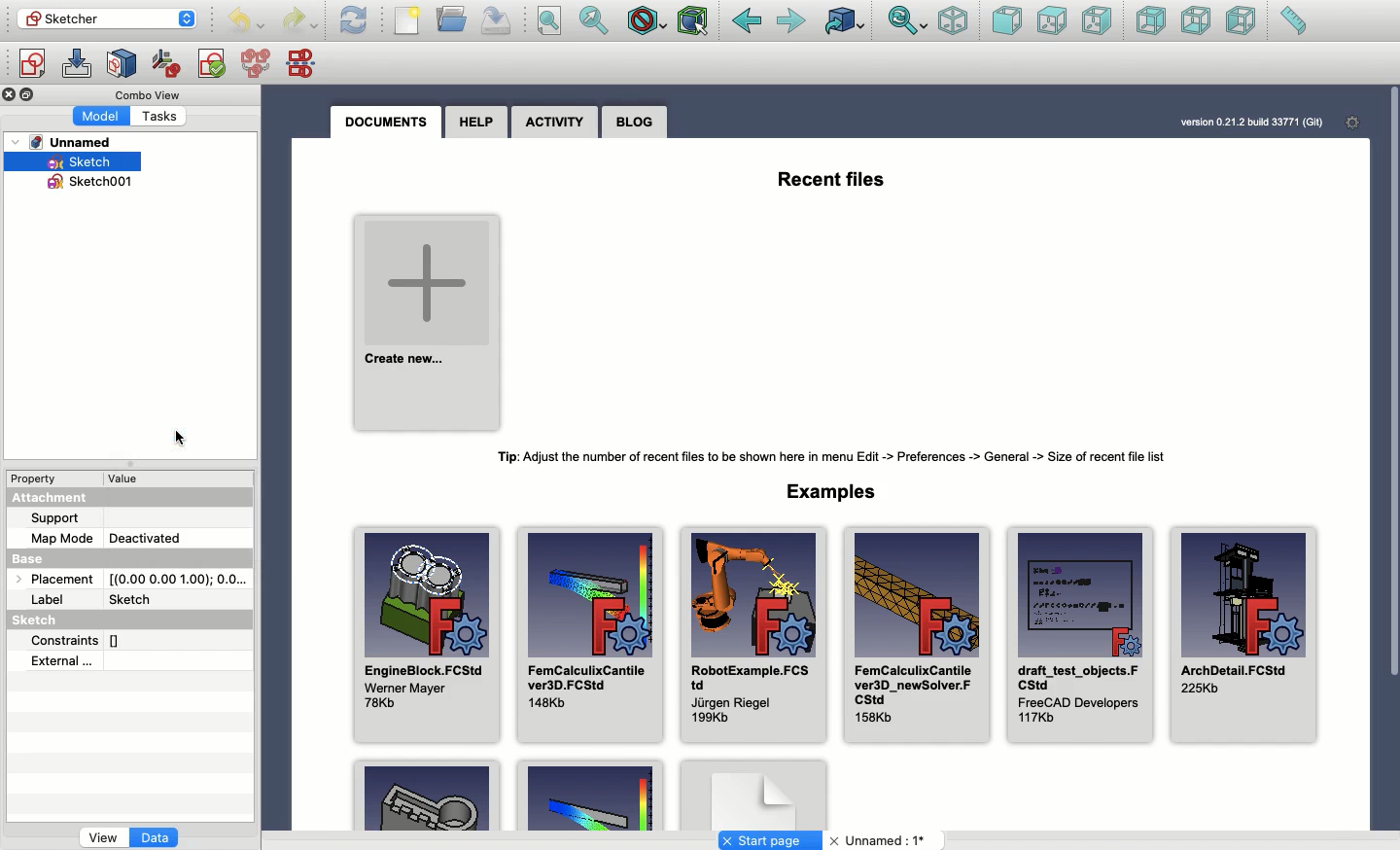  What do you see at coordinates (167, 64) in the screenshot?
I see `Reorient sketch` at bounding box center [167, 64].